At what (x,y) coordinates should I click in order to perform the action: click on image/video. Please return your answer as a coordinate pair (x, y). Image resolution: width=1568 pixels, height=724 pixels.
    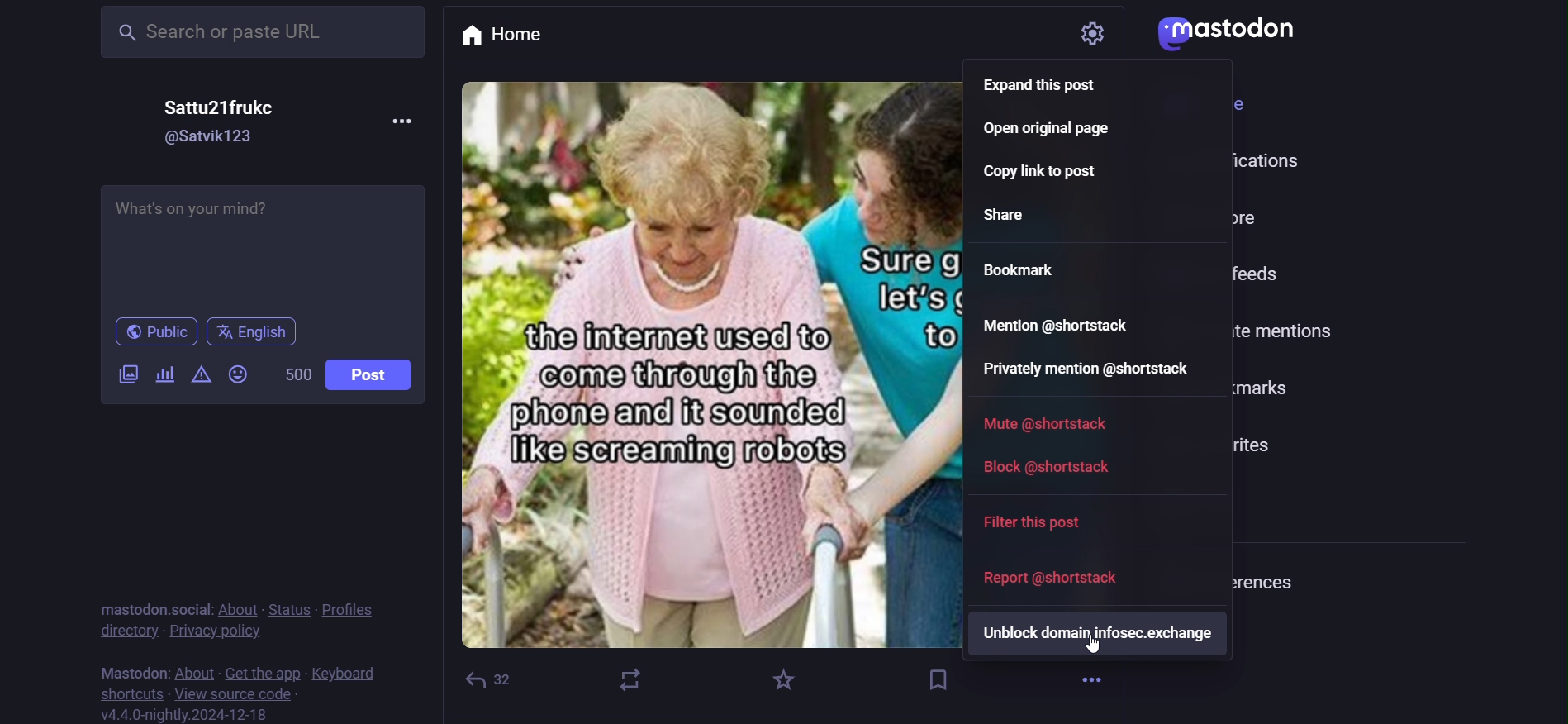
    Looking at the image, I should click on (123, 373).